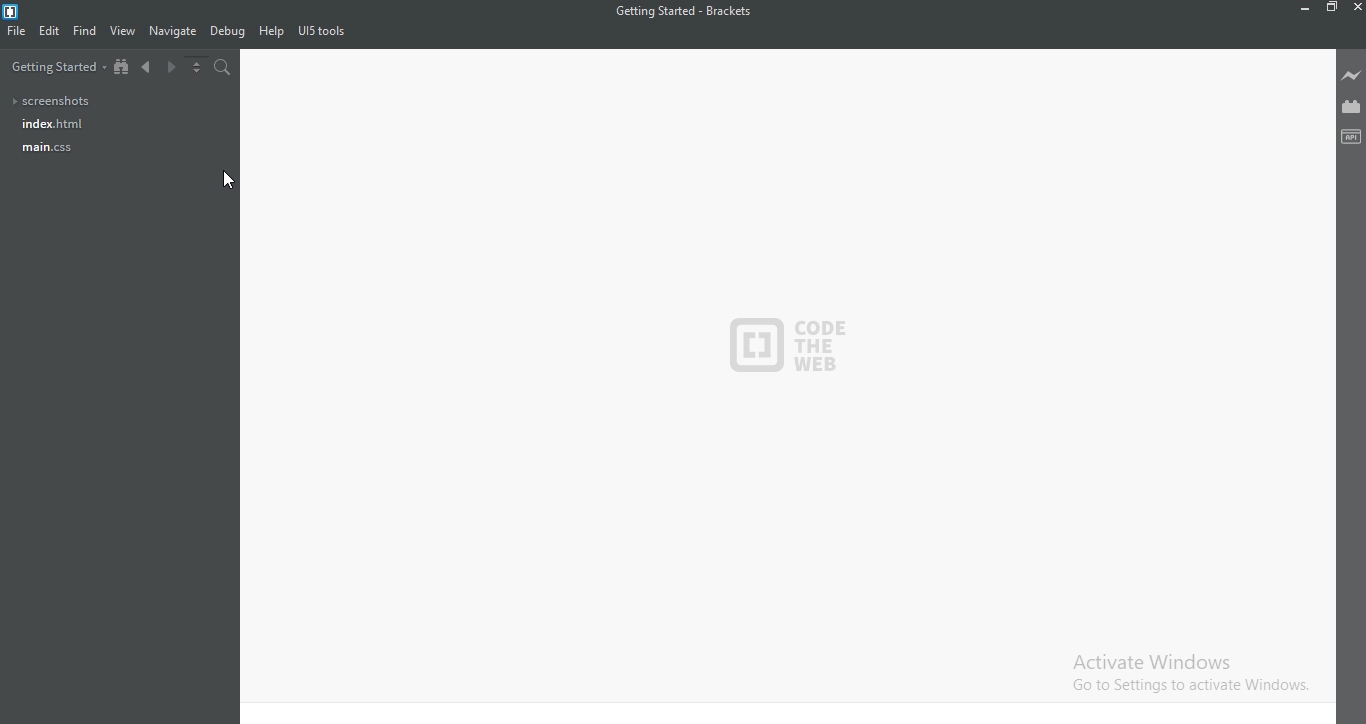 Image resolution: width=1366 pixels, height=724 pixels. I want to click on Find in files, so click(224, 69).